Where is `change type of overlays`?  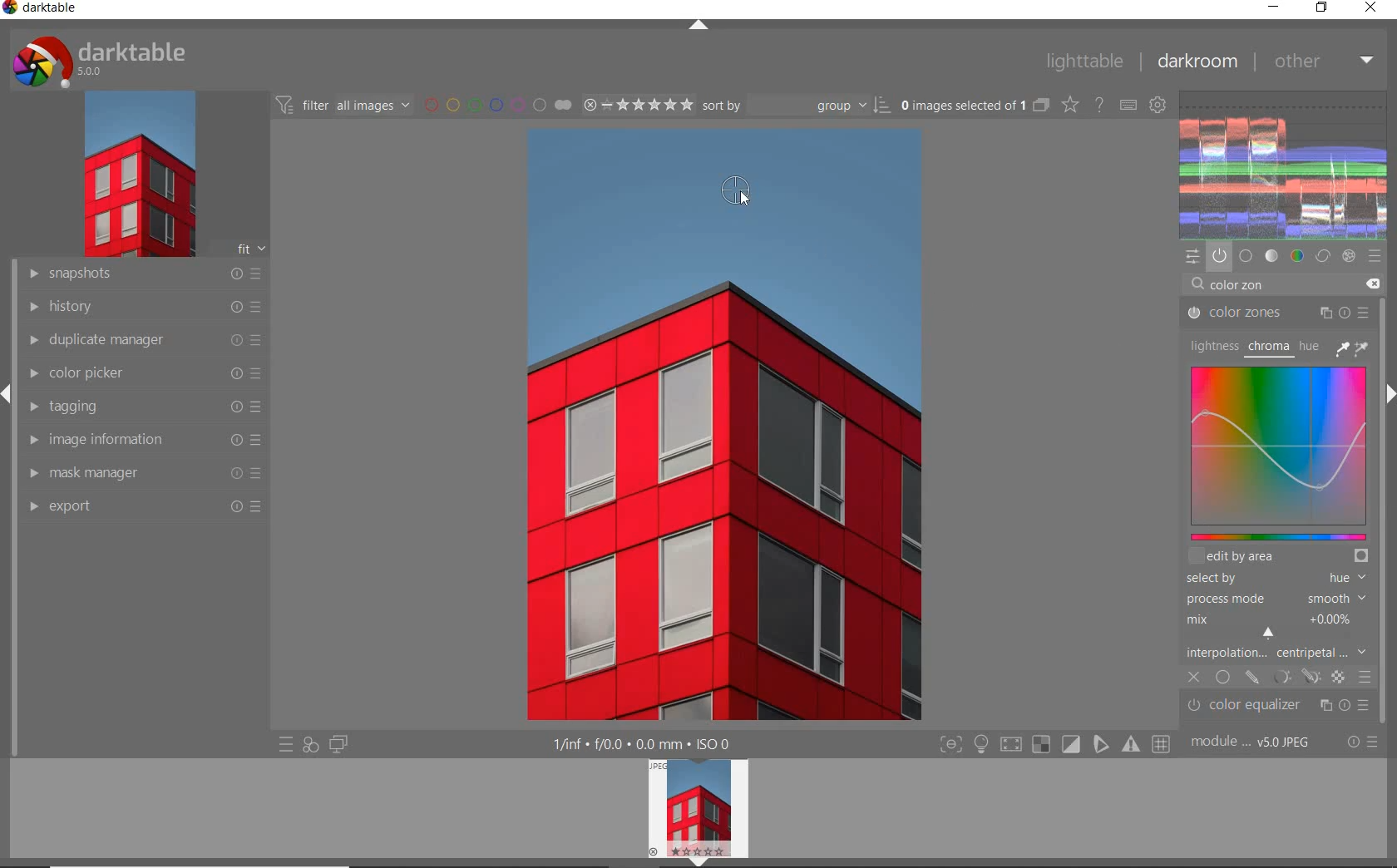
change type of overlays is located at coordinates (1072, 106).